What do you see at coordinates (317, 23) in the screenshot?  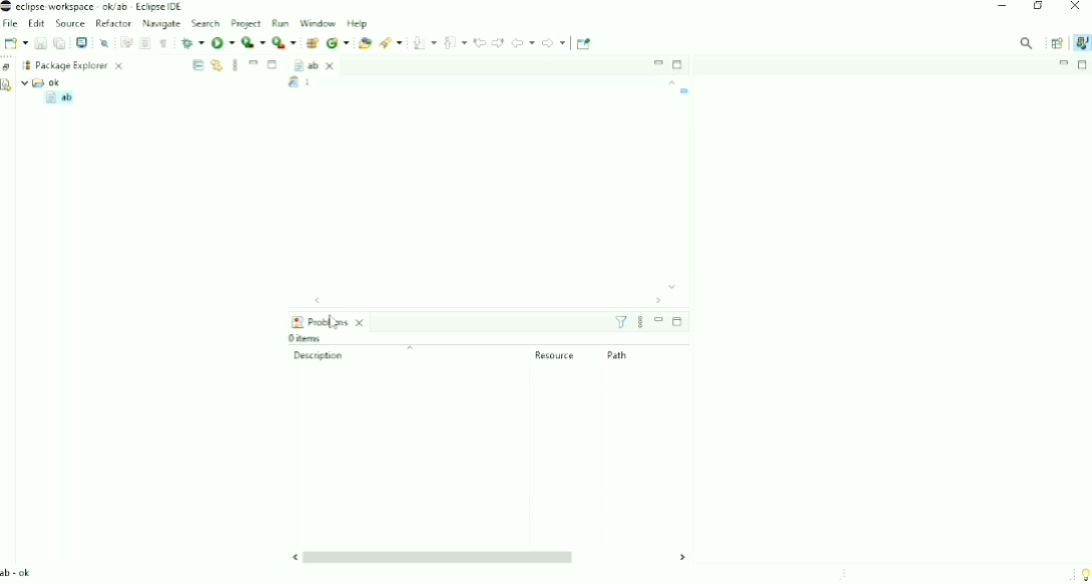 I see `Window` at bounding box center [317, 23].